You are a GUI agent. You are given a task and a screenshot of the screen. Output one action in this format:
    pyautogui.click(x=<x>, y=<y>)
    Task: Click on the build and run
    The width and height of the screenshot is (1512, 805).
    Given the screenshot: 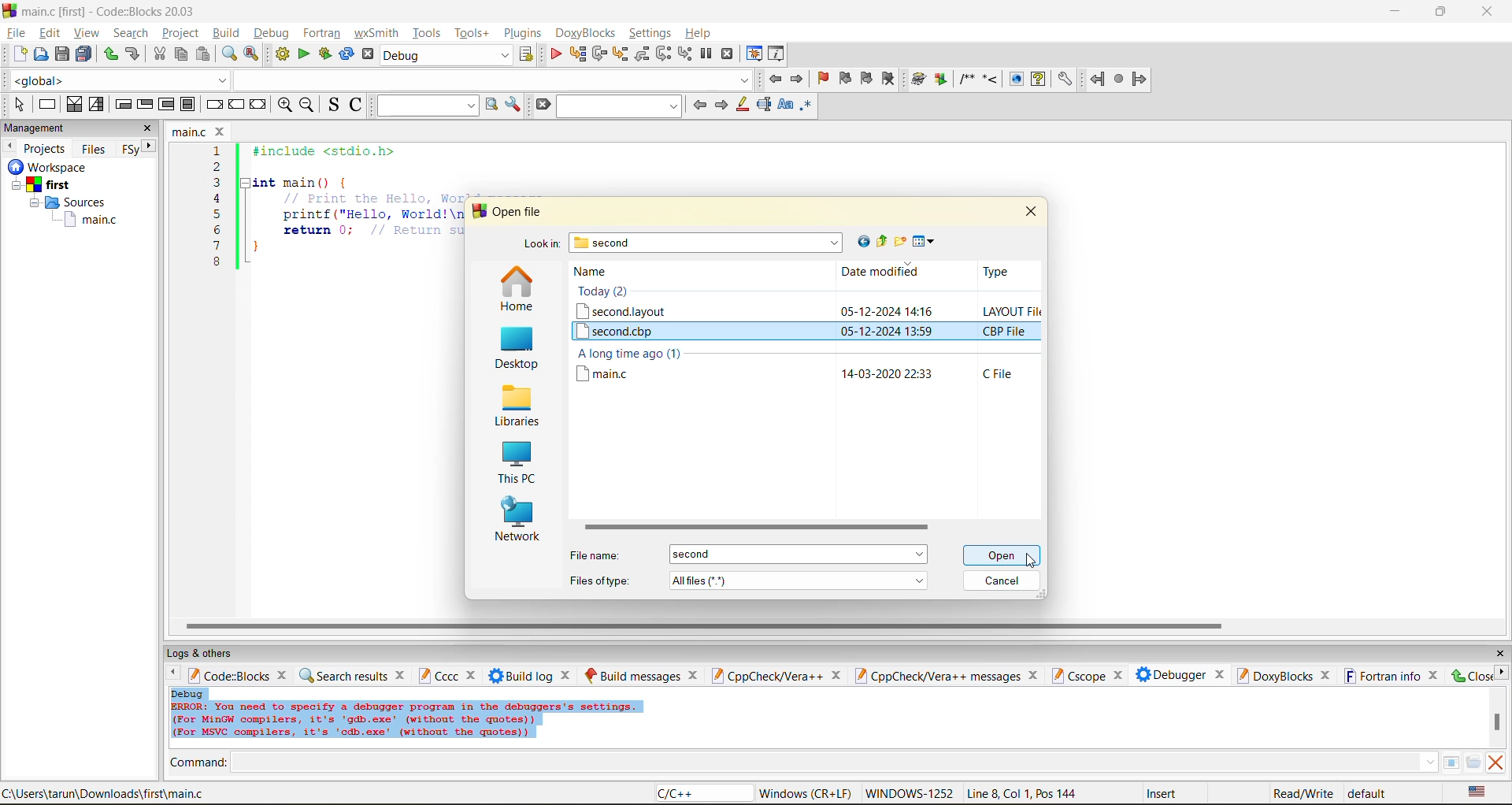 What is the action you would take?
    pyautogui.click(x=325, y=54)
    